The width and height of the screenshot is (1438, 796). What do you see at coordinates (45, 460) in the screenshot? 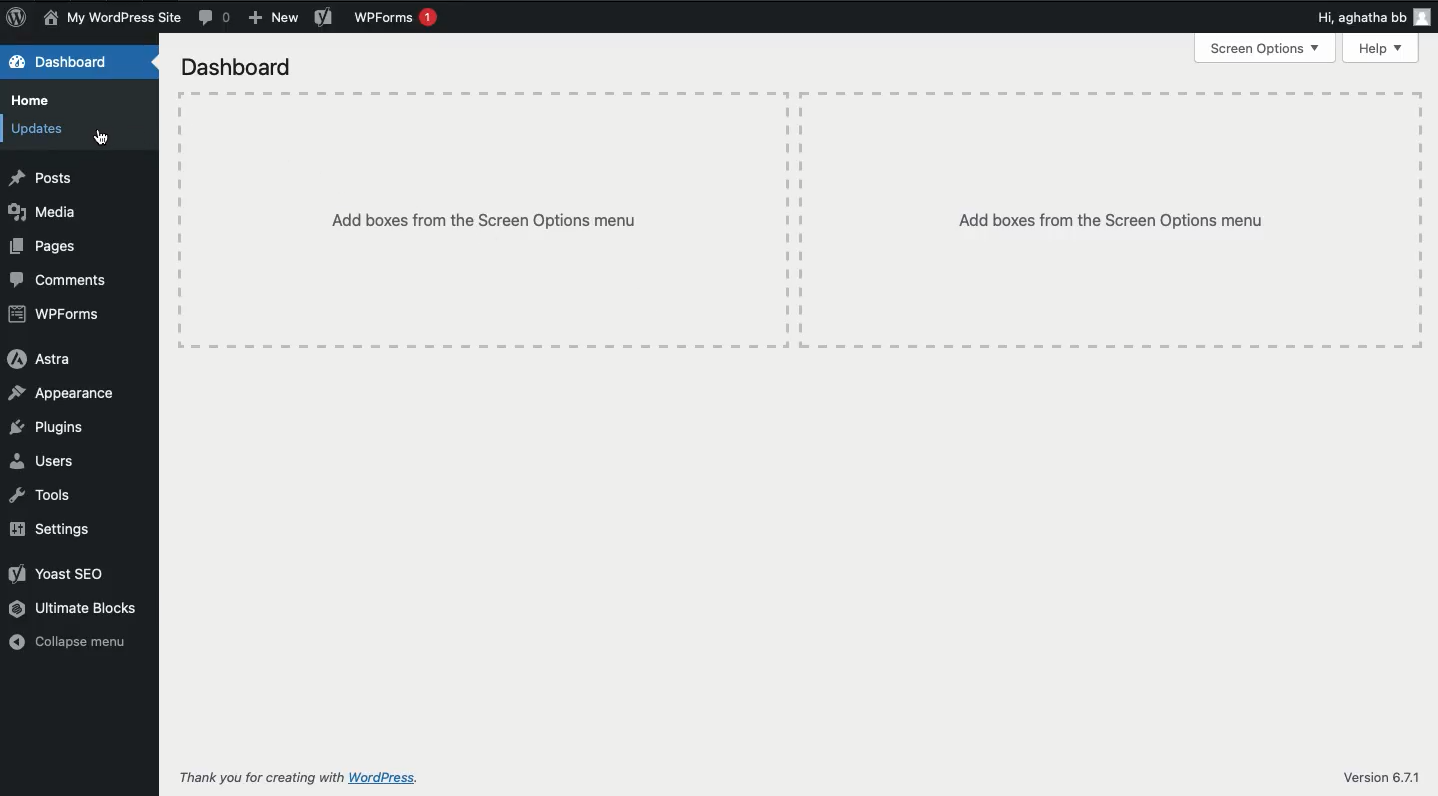
I see `Users` at bounding box center [45, 460].